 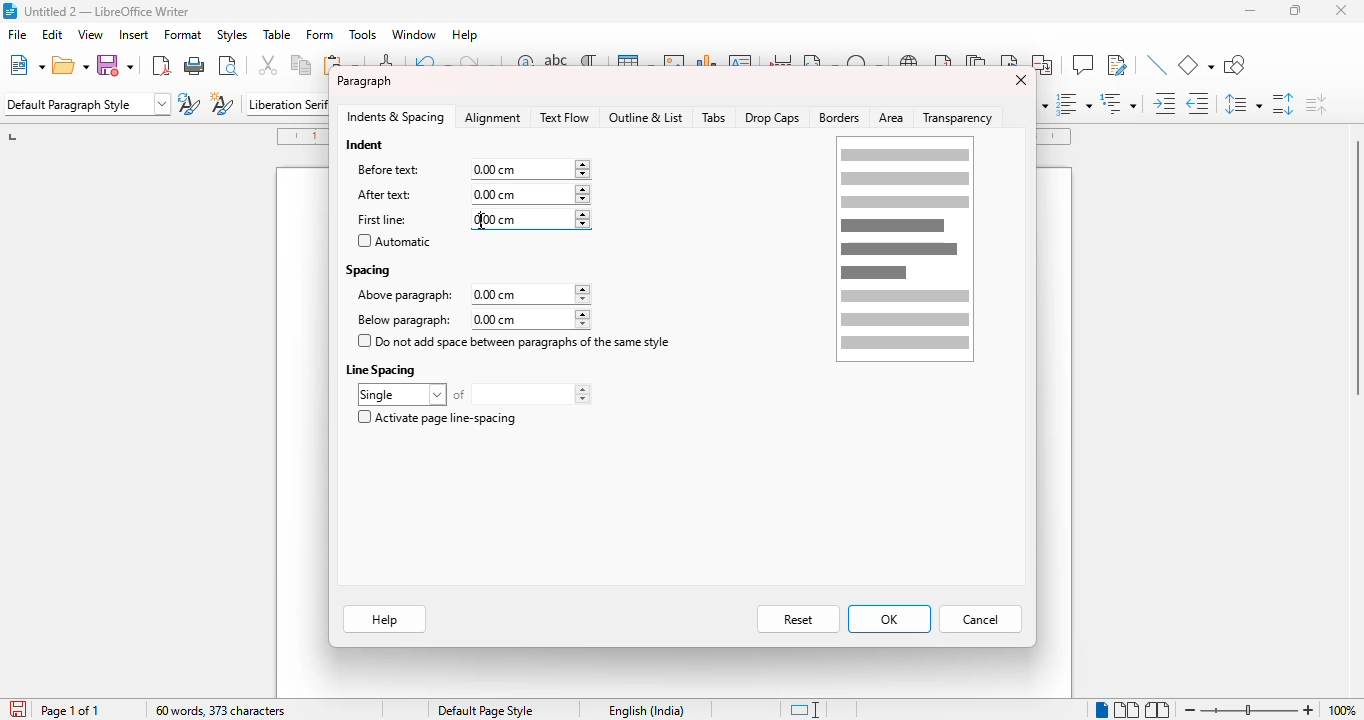 I want to click on tools, so click(x=362, y=35).